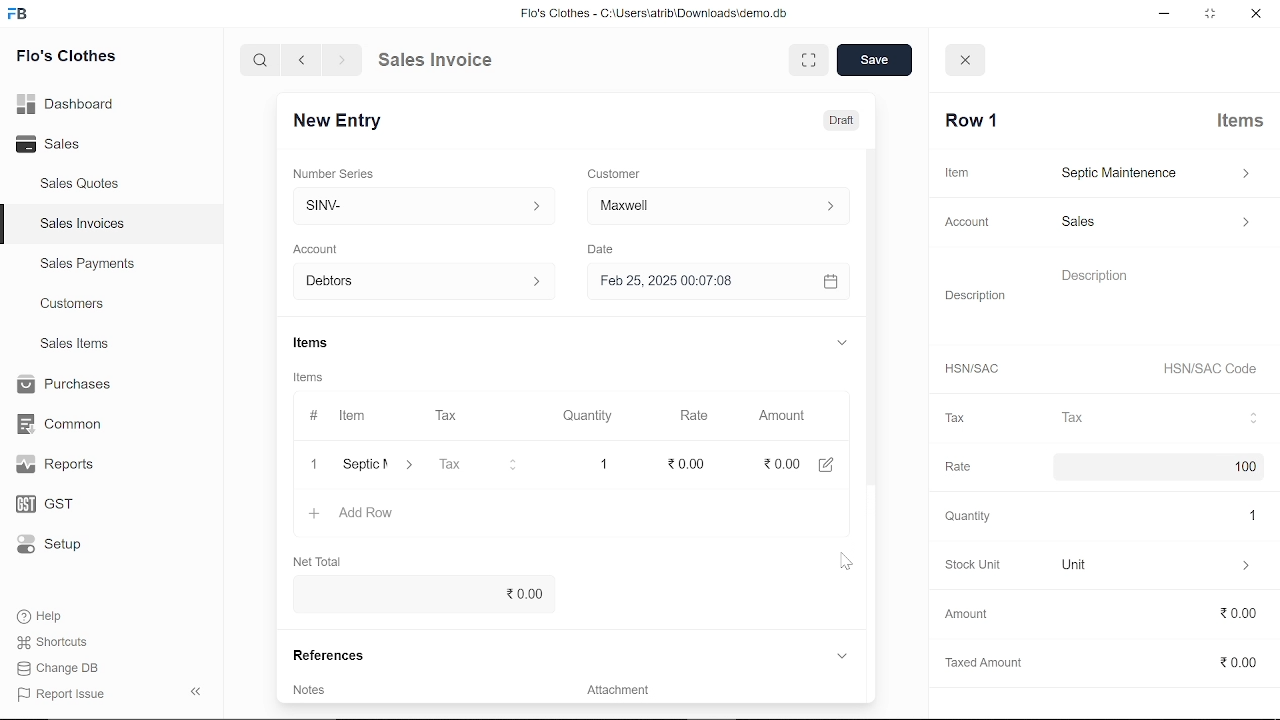 The width and height of the screenshot is (1280, 720). What do you see at coordinates (1238, 468) in the screenshot?
I see `100` at bounding box center [1238, 468].